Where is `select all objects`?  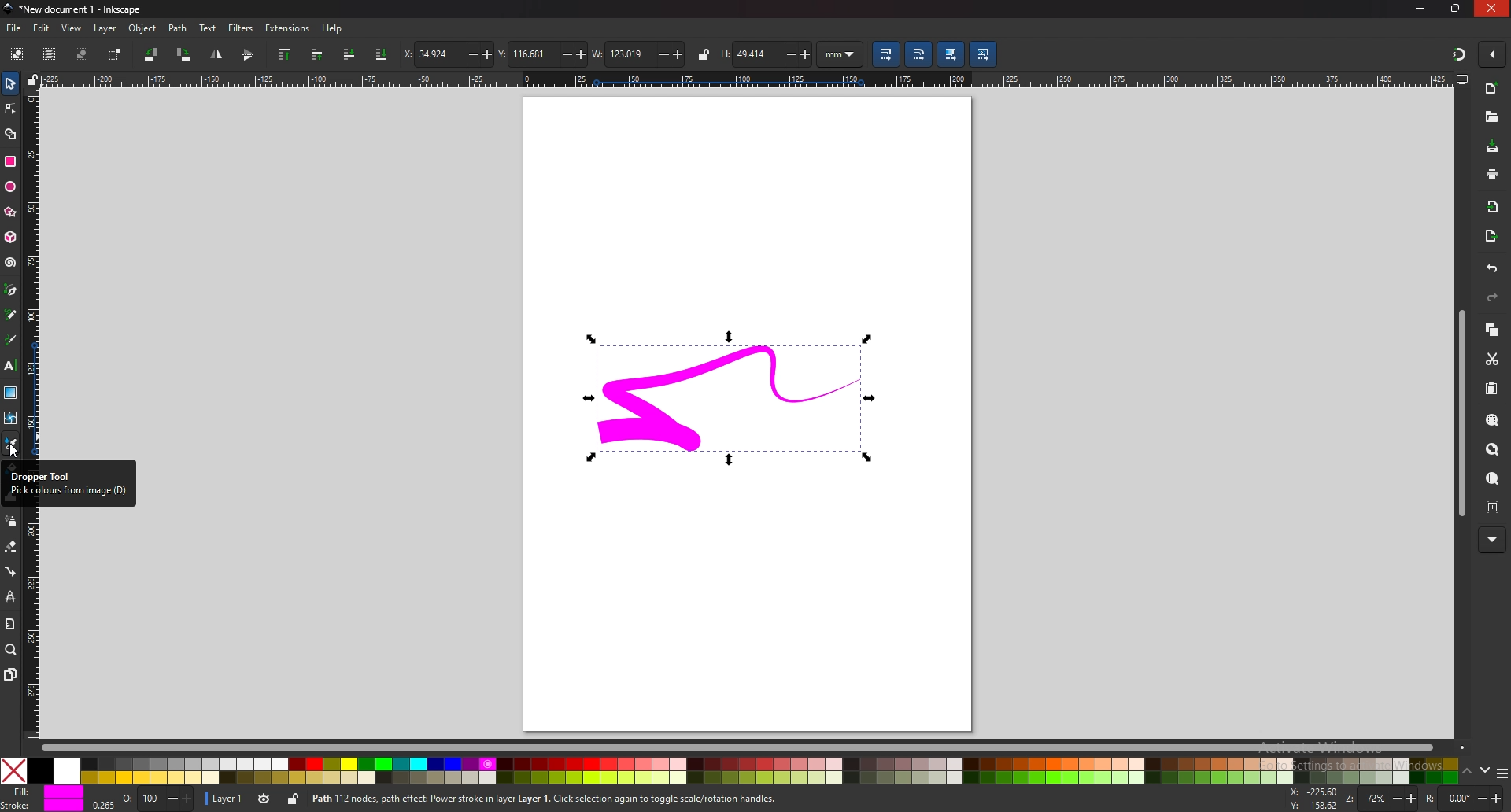 select all objects is located at coordinates (18, 54).